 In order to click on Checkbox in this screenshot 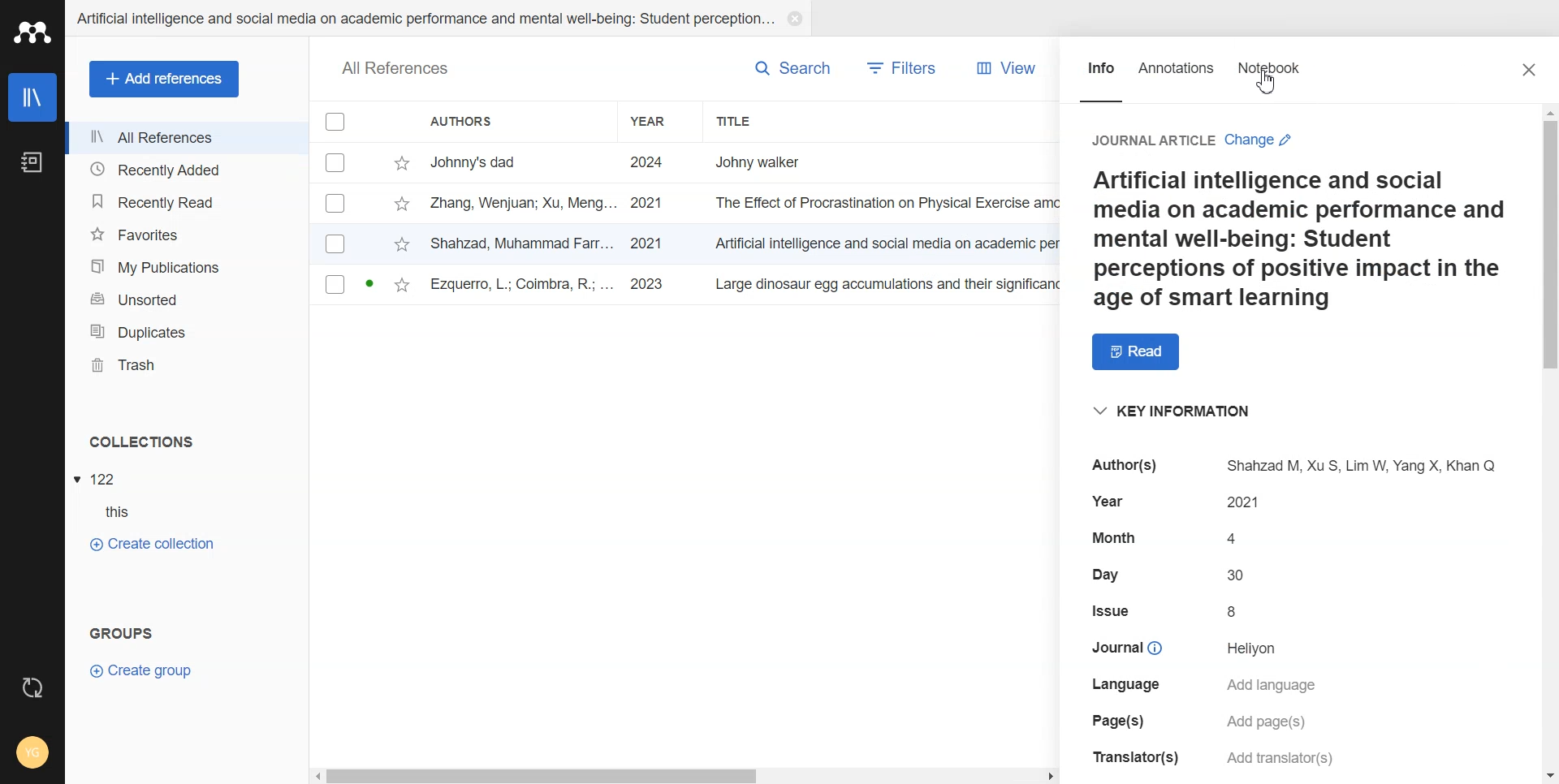, I will do `click(337, 121)`.